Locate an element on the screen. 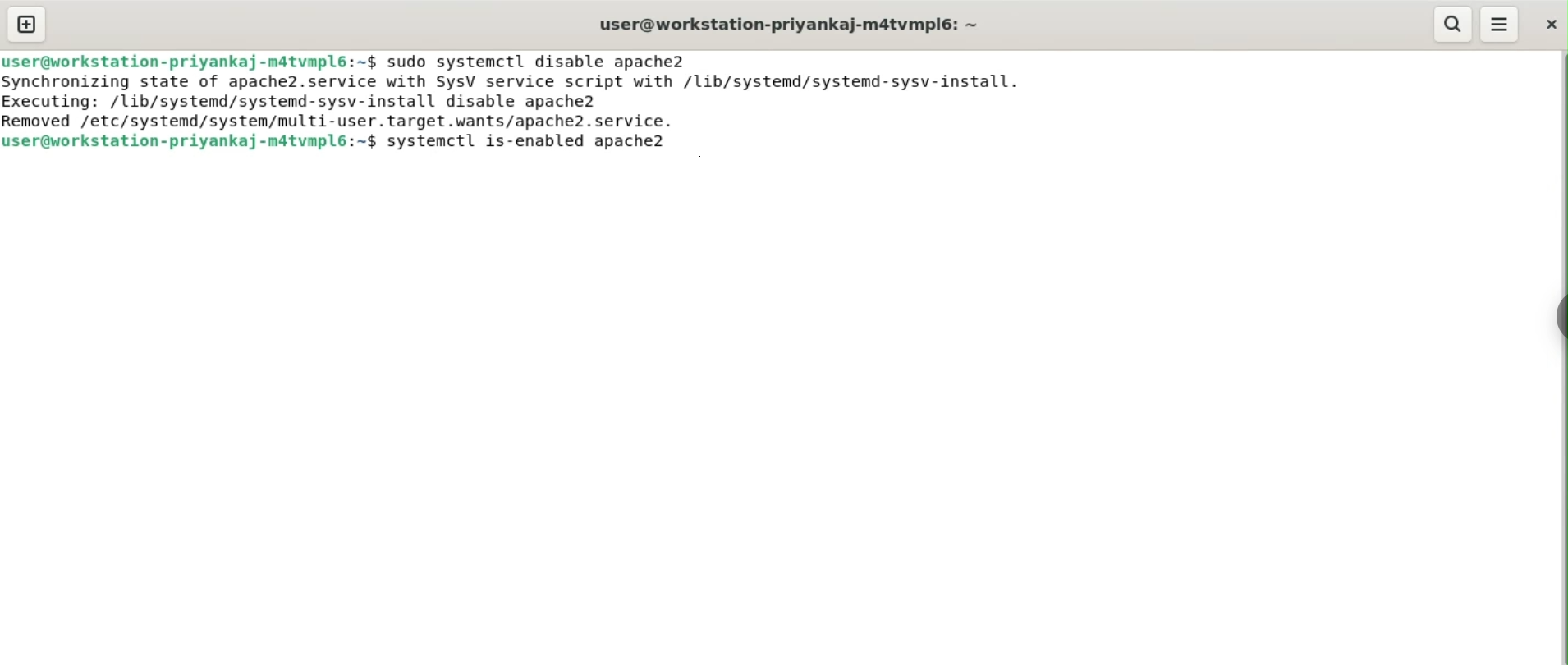  close is located at coordinates (1548, 25).